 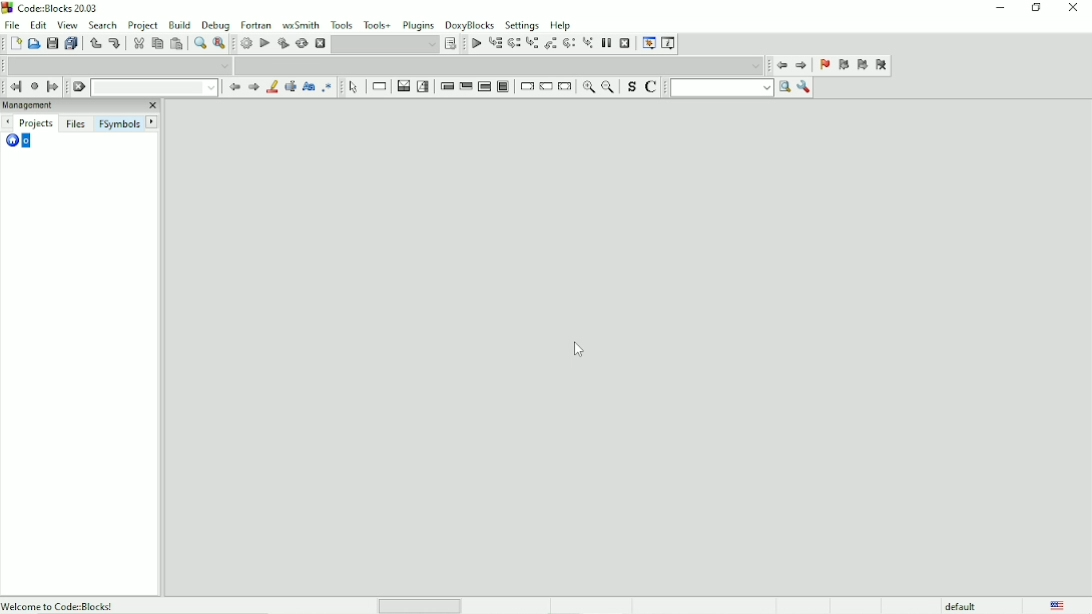 I want to click on Prev, so click(x=235, y=88).